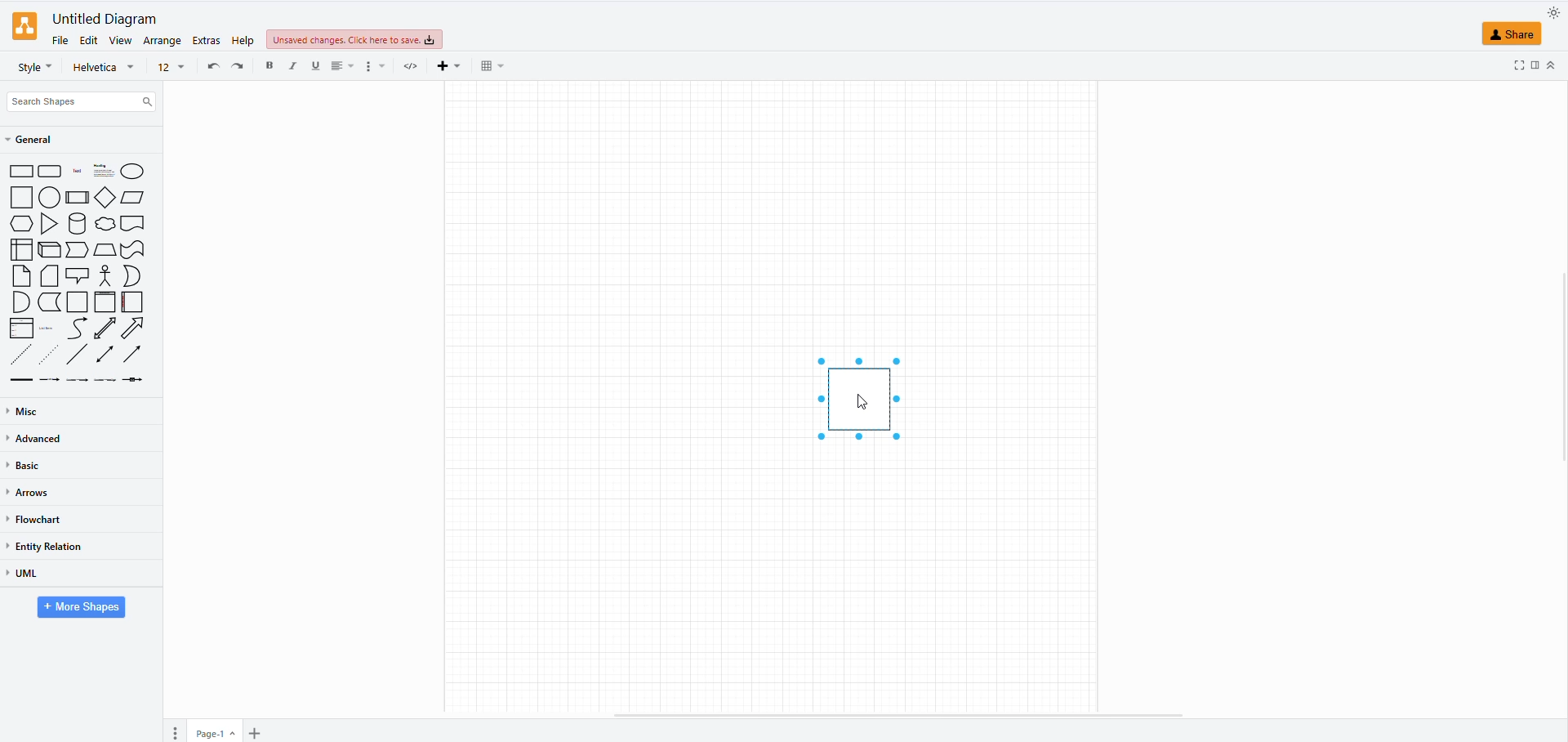  What do you see at coordinates (22, 275) in the screenshot?
I see `note` at bounding box center [22, 275].